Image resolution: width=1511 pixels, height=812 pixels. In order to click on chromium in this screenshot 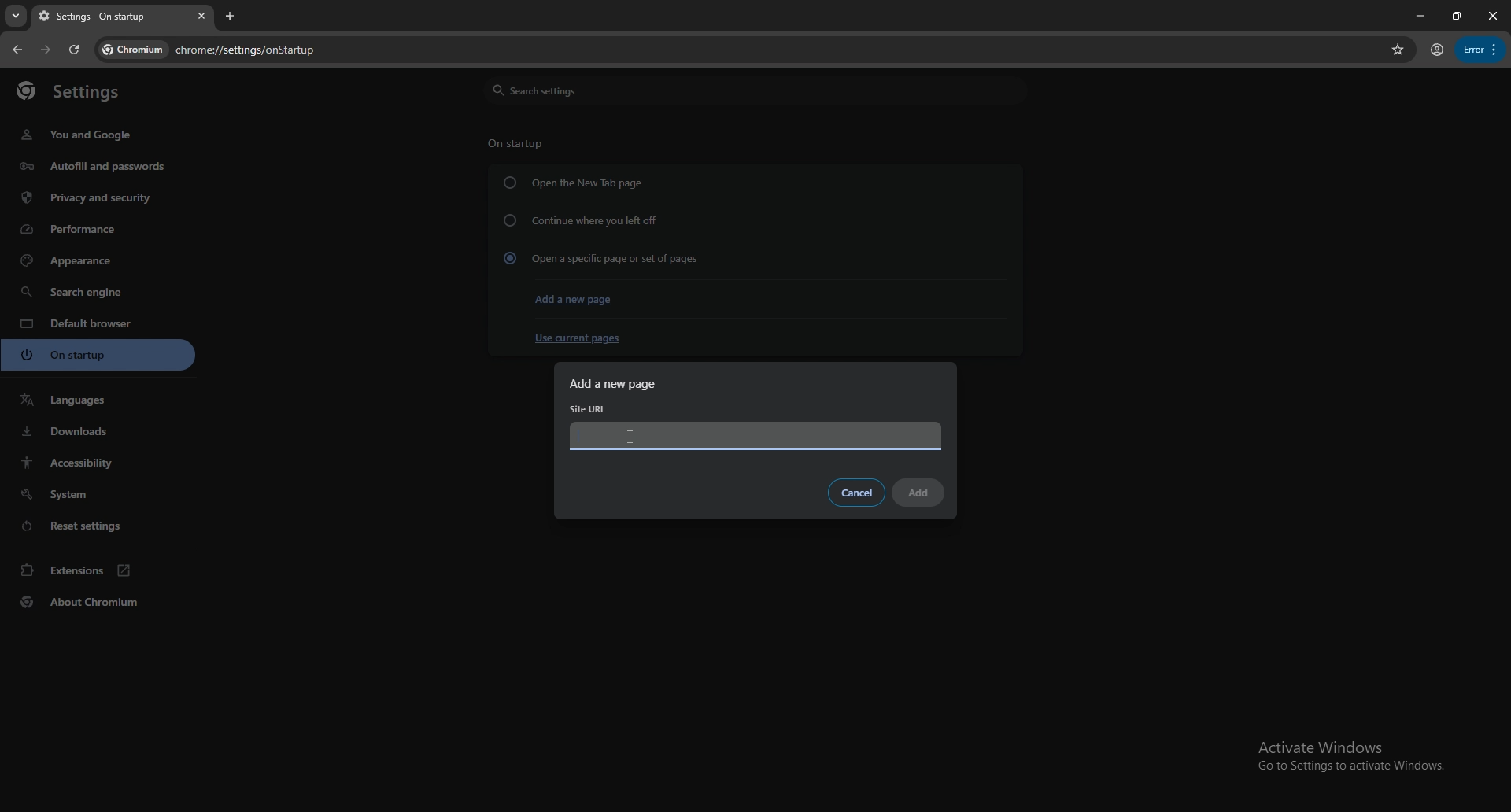, I will do `click(133, 50)`.